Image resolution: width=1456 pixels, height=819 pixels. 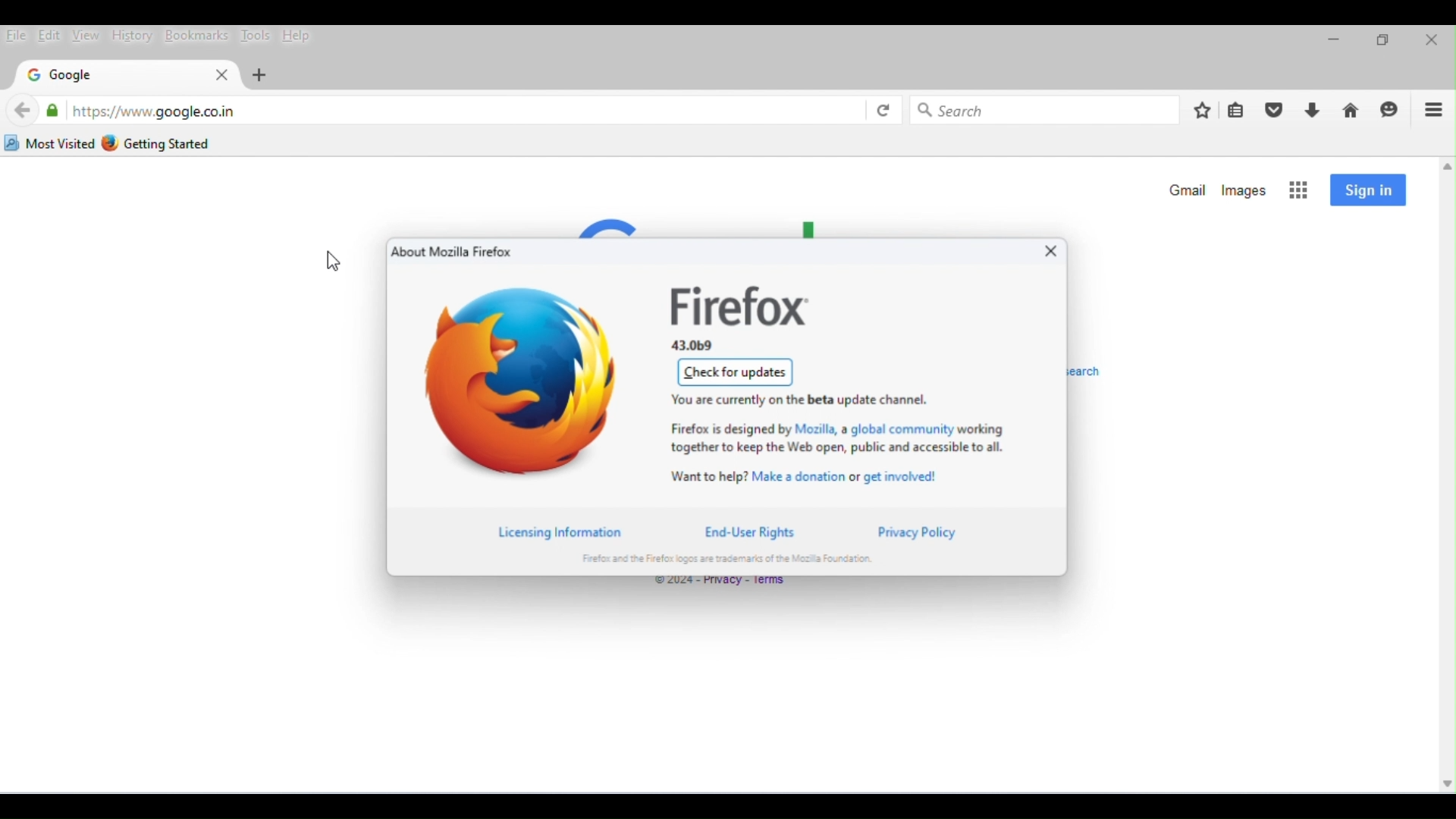 What do you see at coordinates (302, 37) in the screenshot?
I see `help` at bounding box center [302, 37].